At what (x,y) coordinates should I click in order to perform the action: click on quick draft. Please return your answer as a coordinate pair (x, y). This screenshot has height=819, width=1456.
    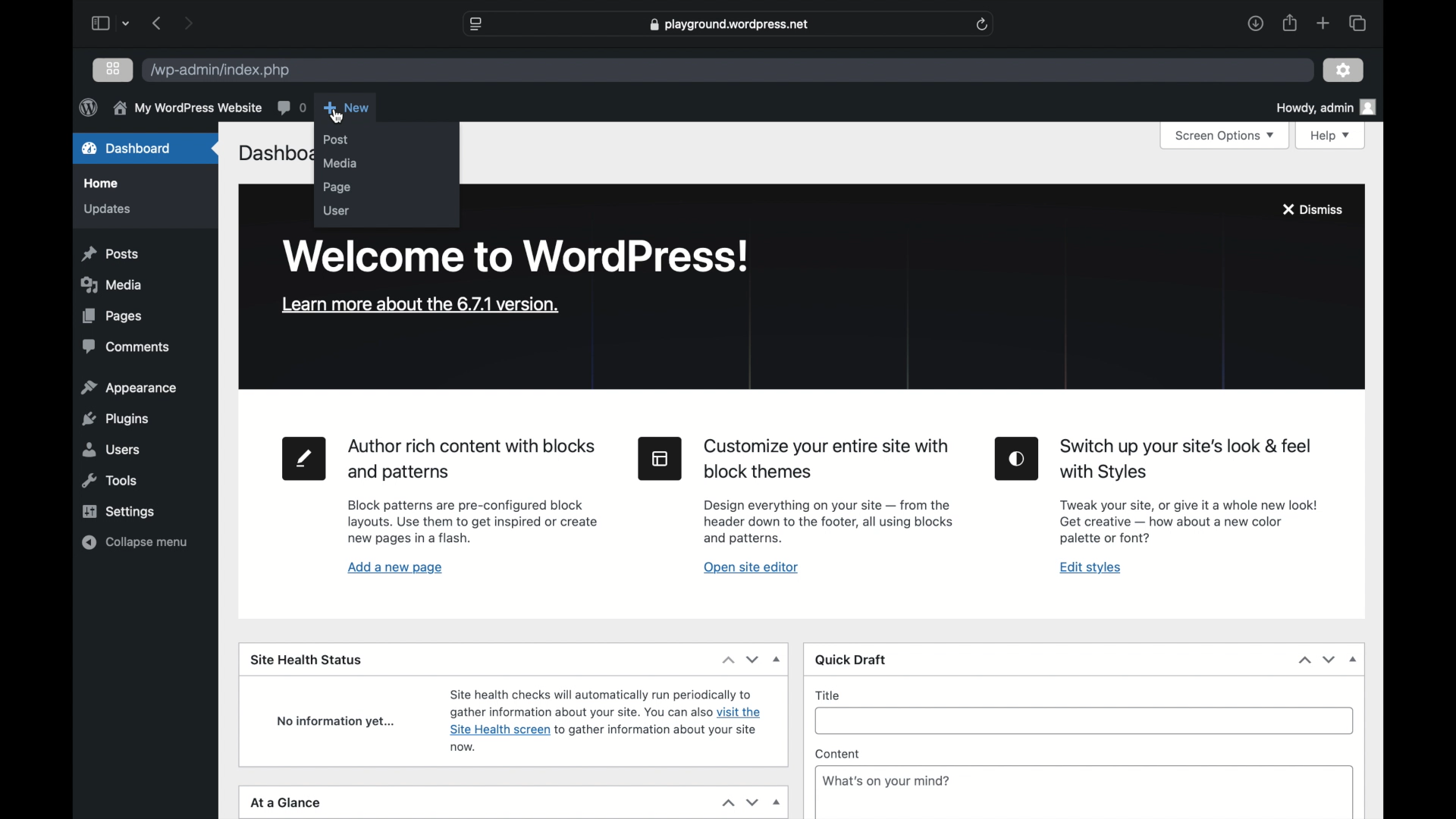
    Looking at the image, I should click on (851, 661).